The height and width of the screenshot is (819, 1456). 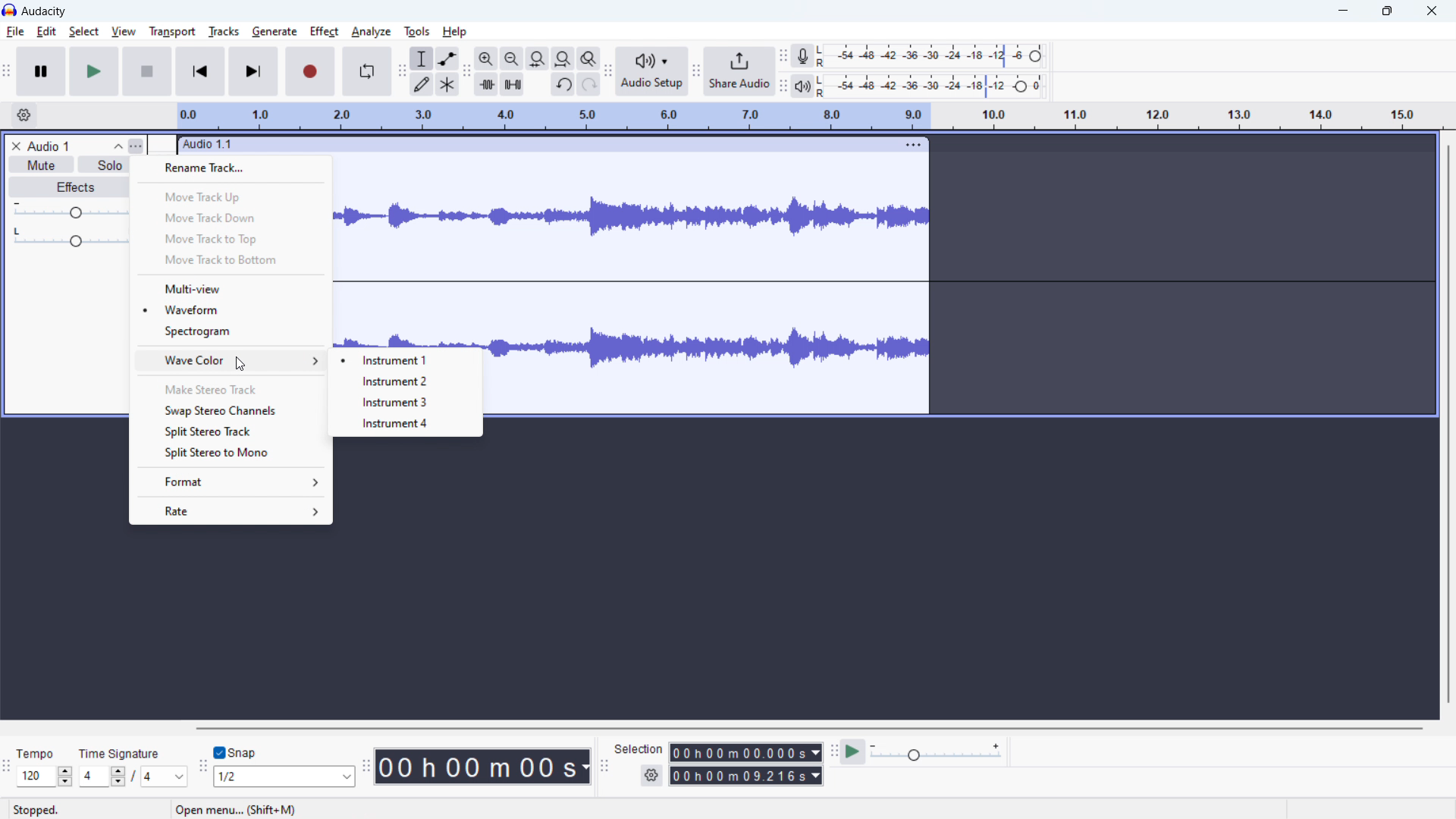 I want to click on waveform, so click(x=231, y=310).